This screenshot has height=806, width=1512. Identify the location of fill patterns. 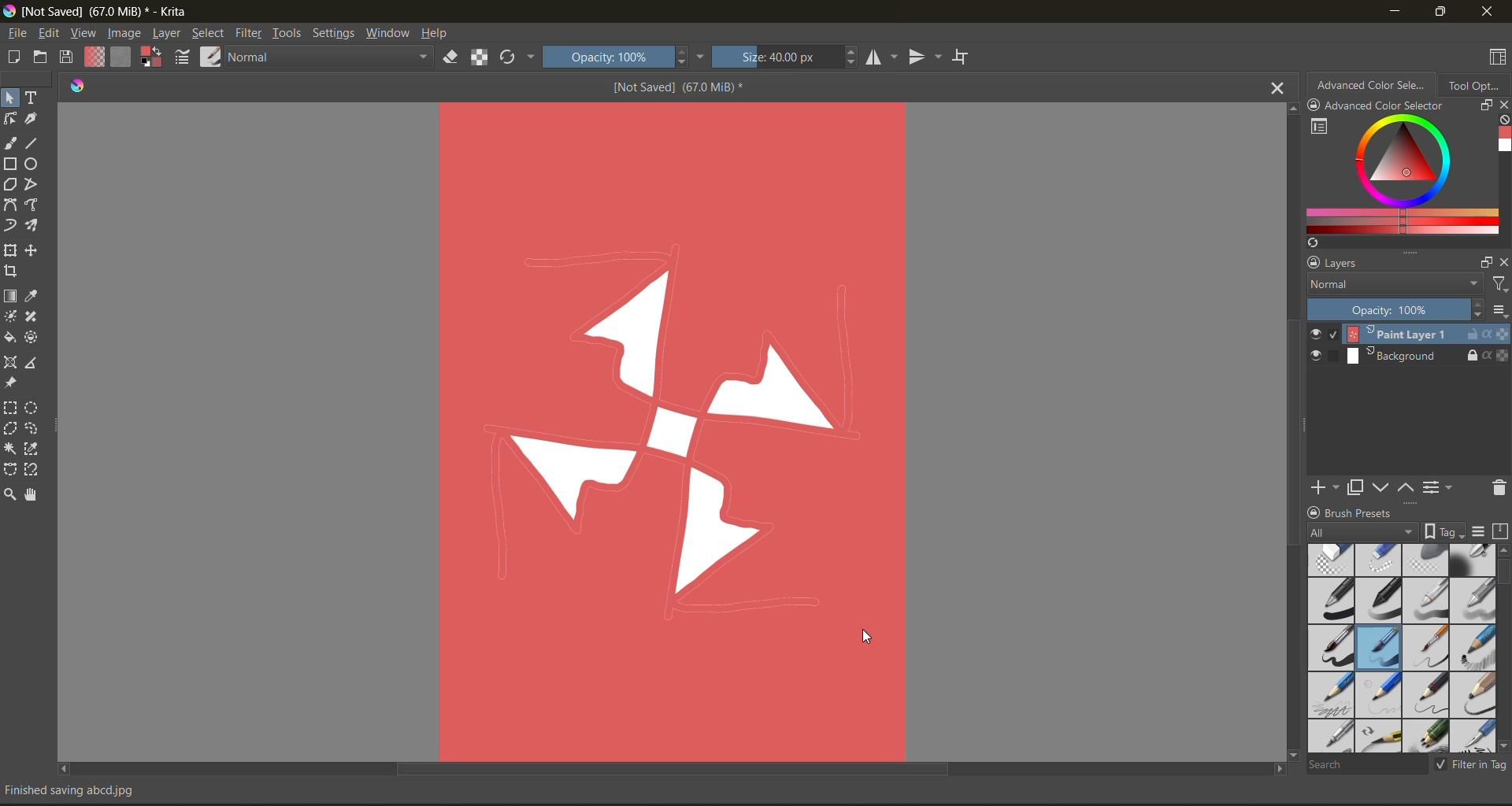
(125, 56).